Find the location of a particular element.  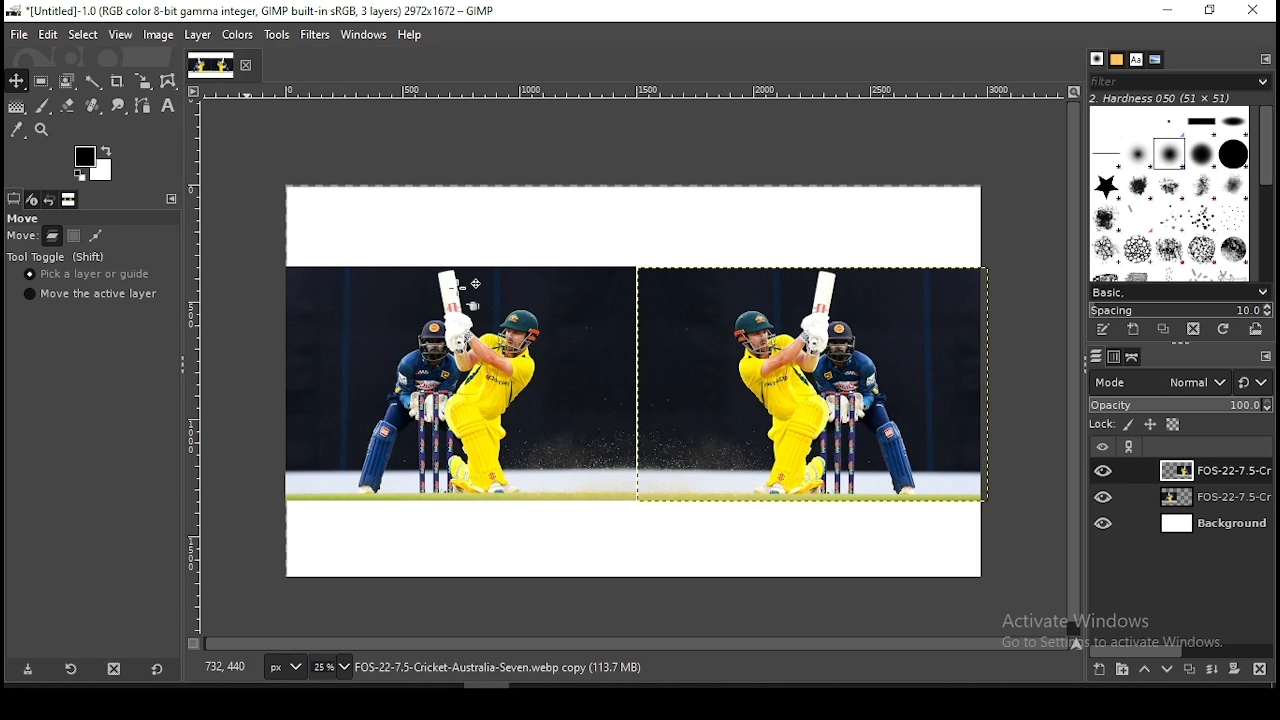

move layer on step up is located at coordinates (1144, 671).